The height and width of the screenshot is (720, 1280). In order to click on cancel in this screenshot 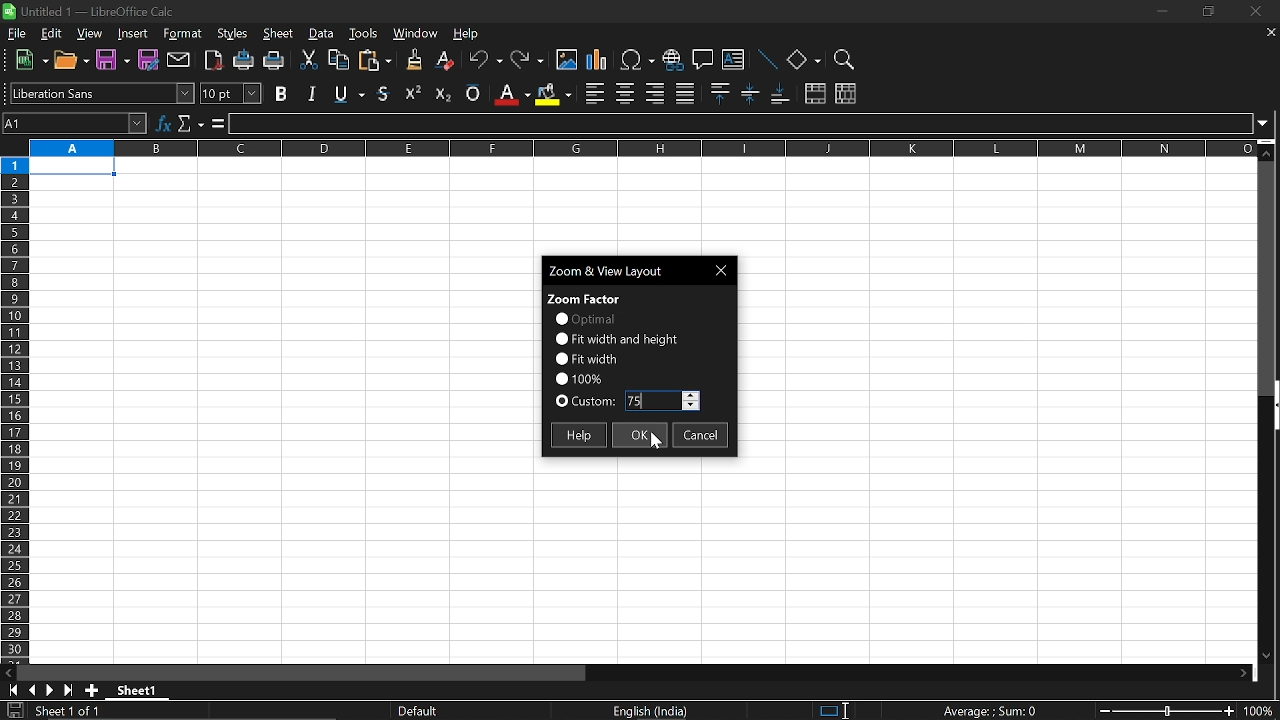, I will do `click(701, 437)`.